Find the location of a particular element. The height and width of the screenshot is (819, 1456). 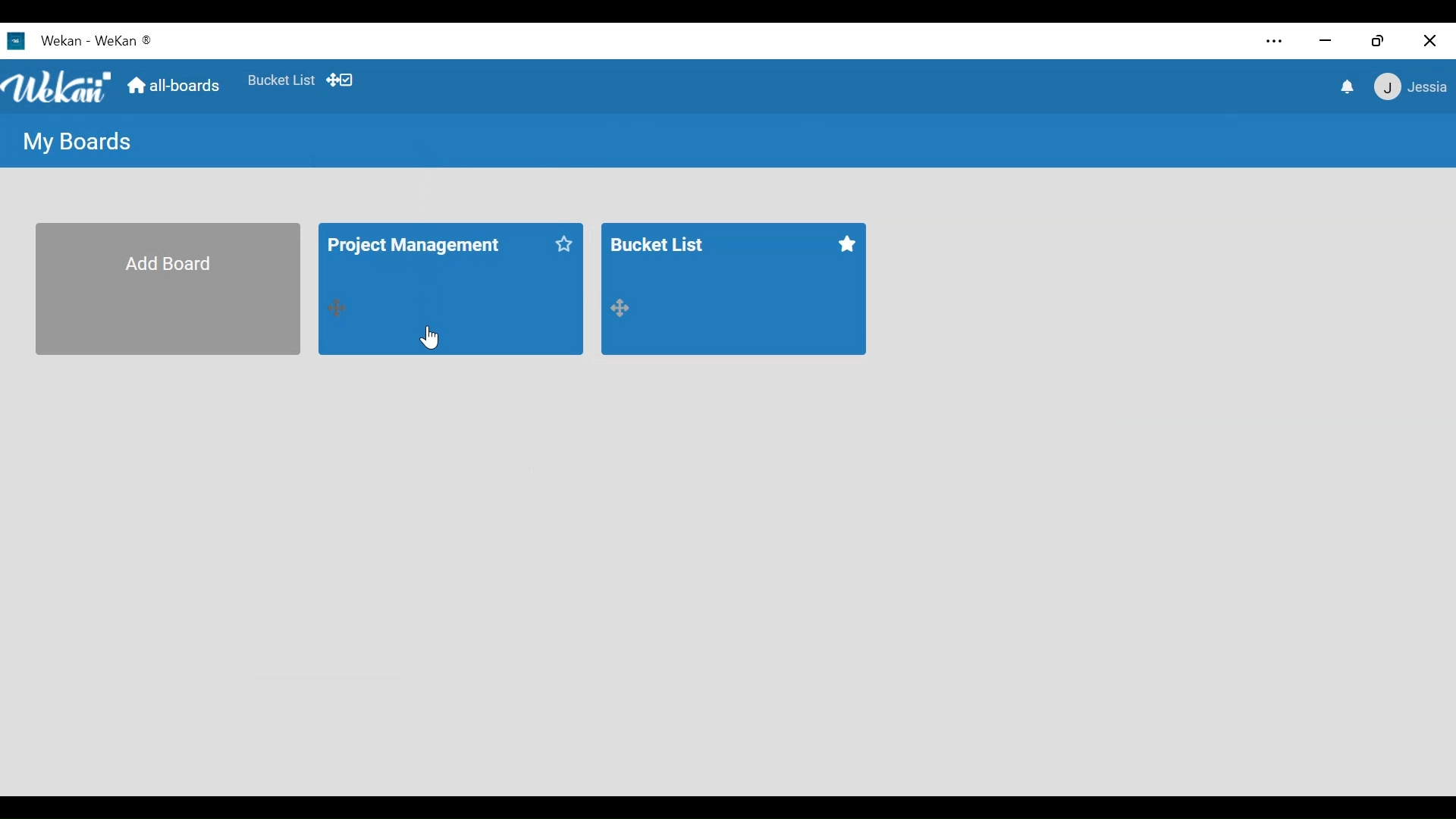

minimize is located at coordinates (1326, 41).